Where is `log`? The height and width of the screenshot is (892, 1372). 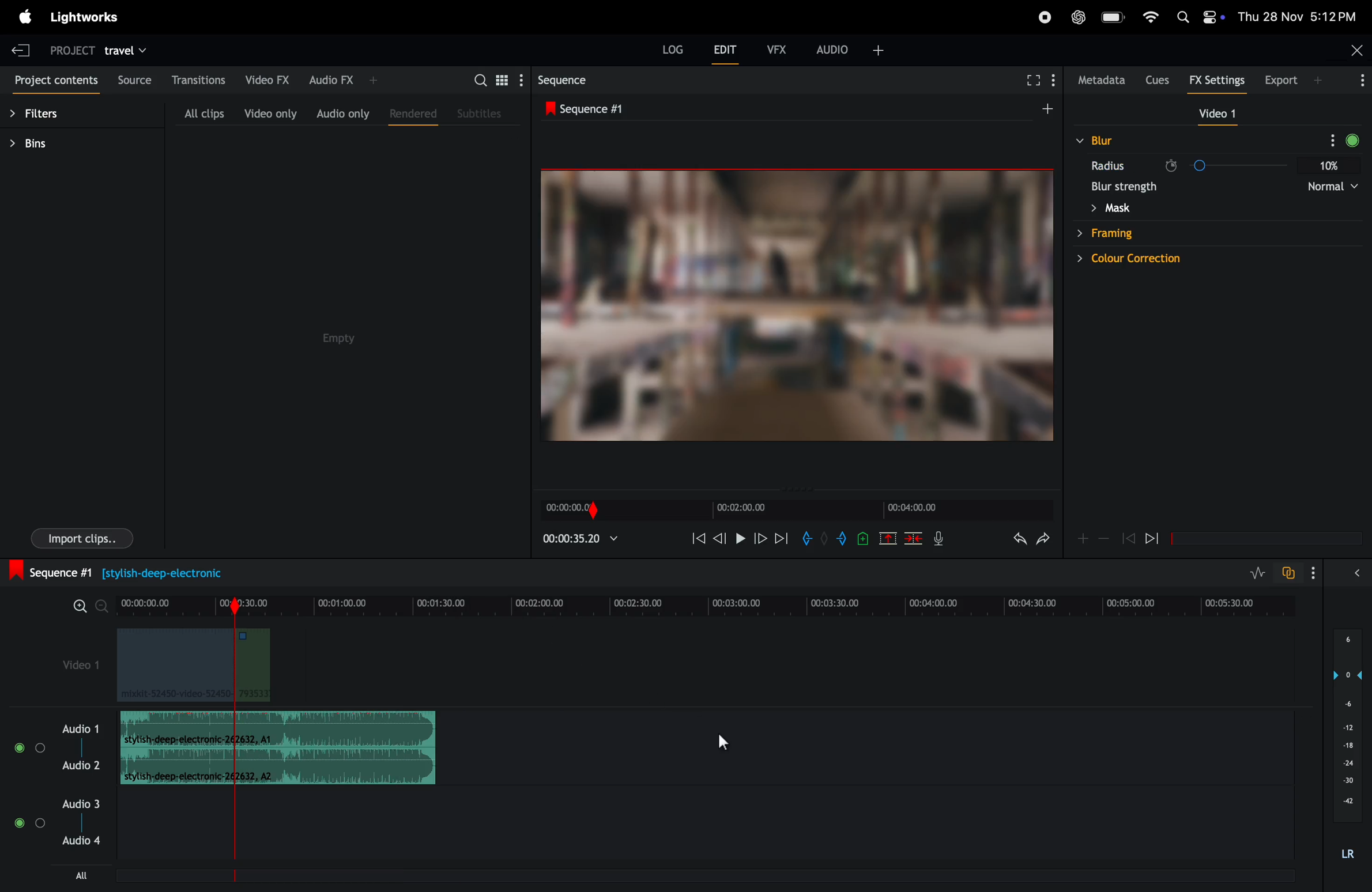 log is located at coordinates (670, 48).